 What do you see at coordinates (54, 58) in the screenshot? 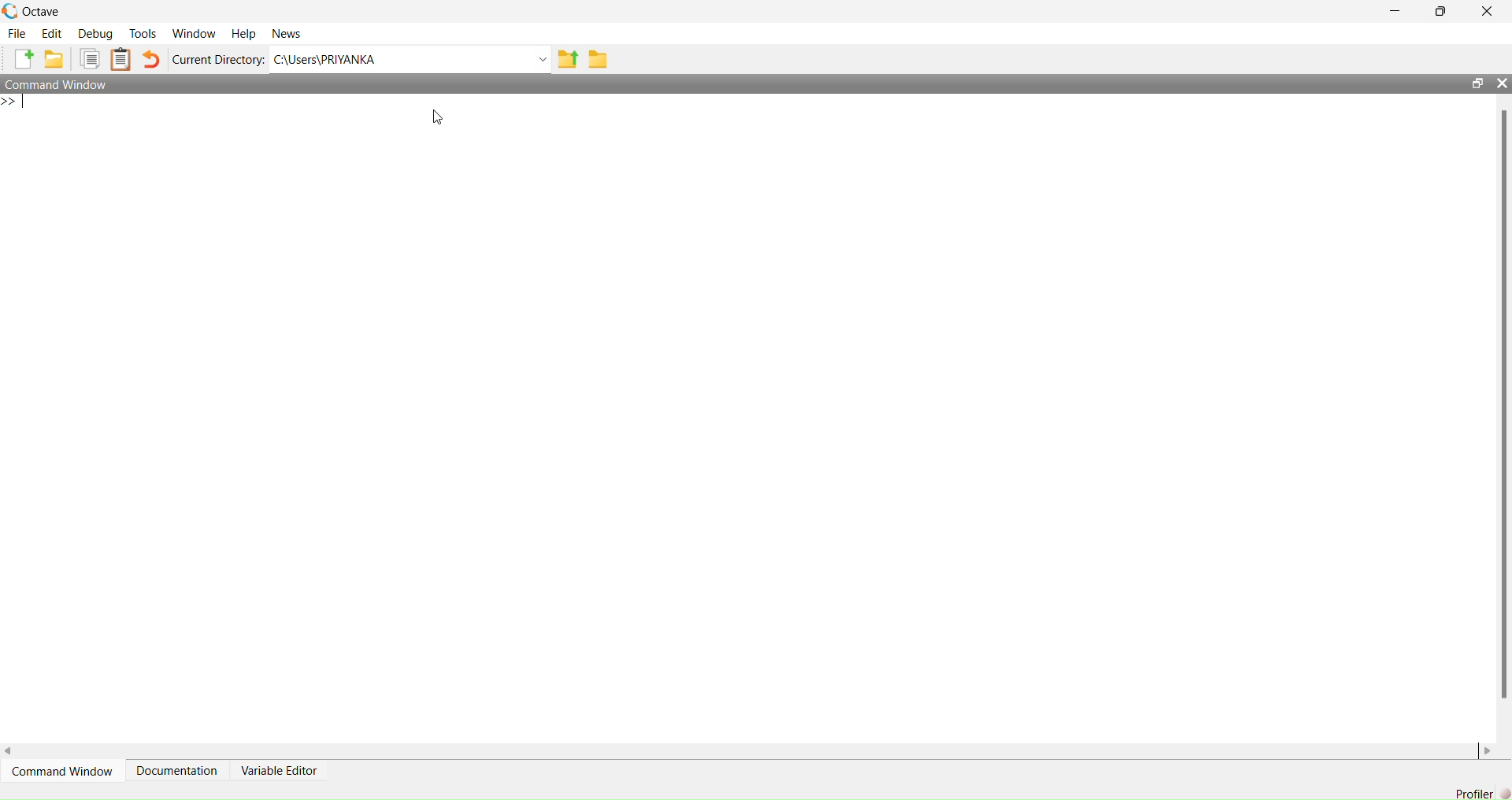
I see `add folder` at bounding box center [54, 58].